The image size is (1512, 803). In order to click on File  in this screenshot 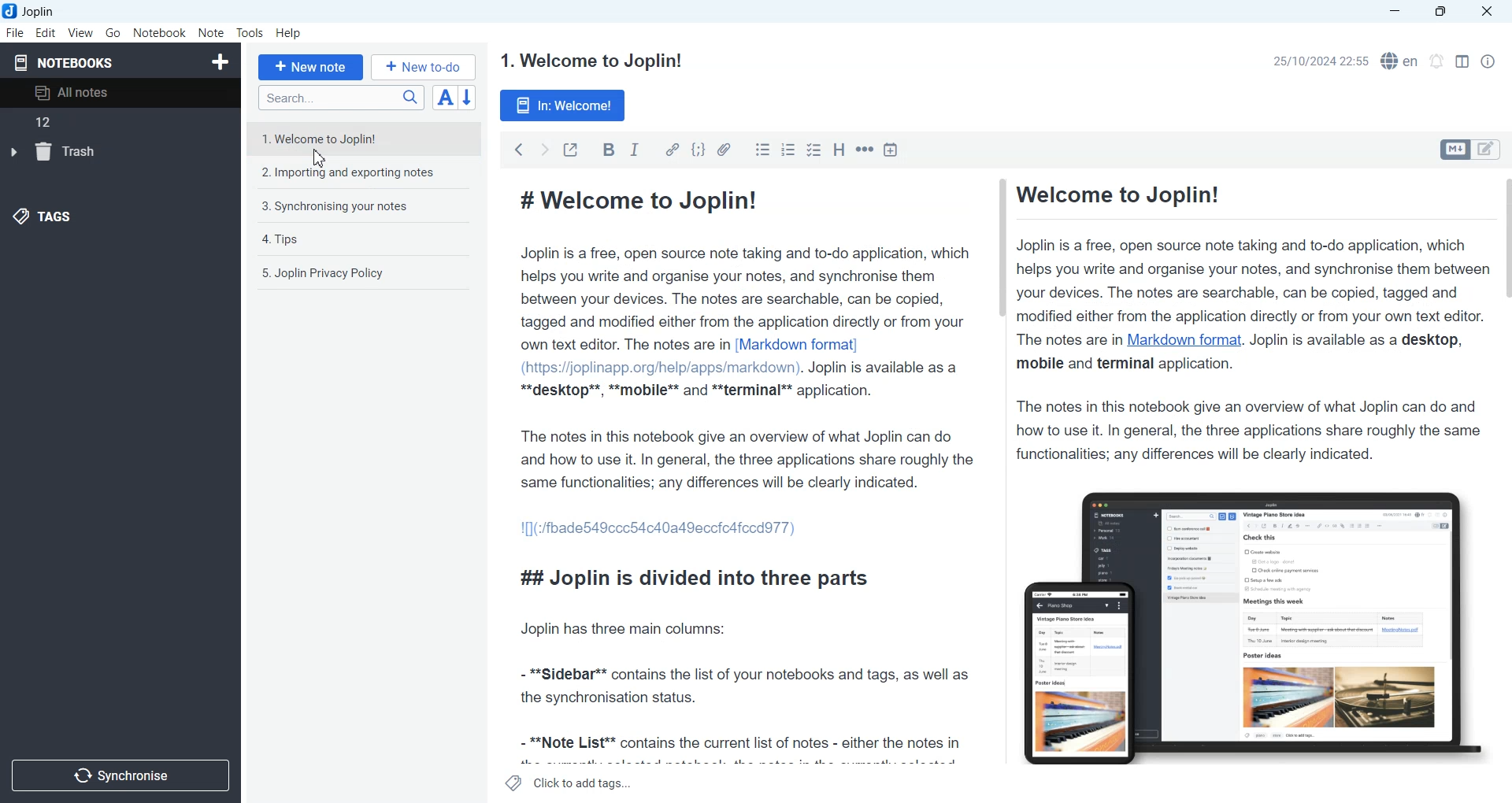, I will do `click(14, 32)`.